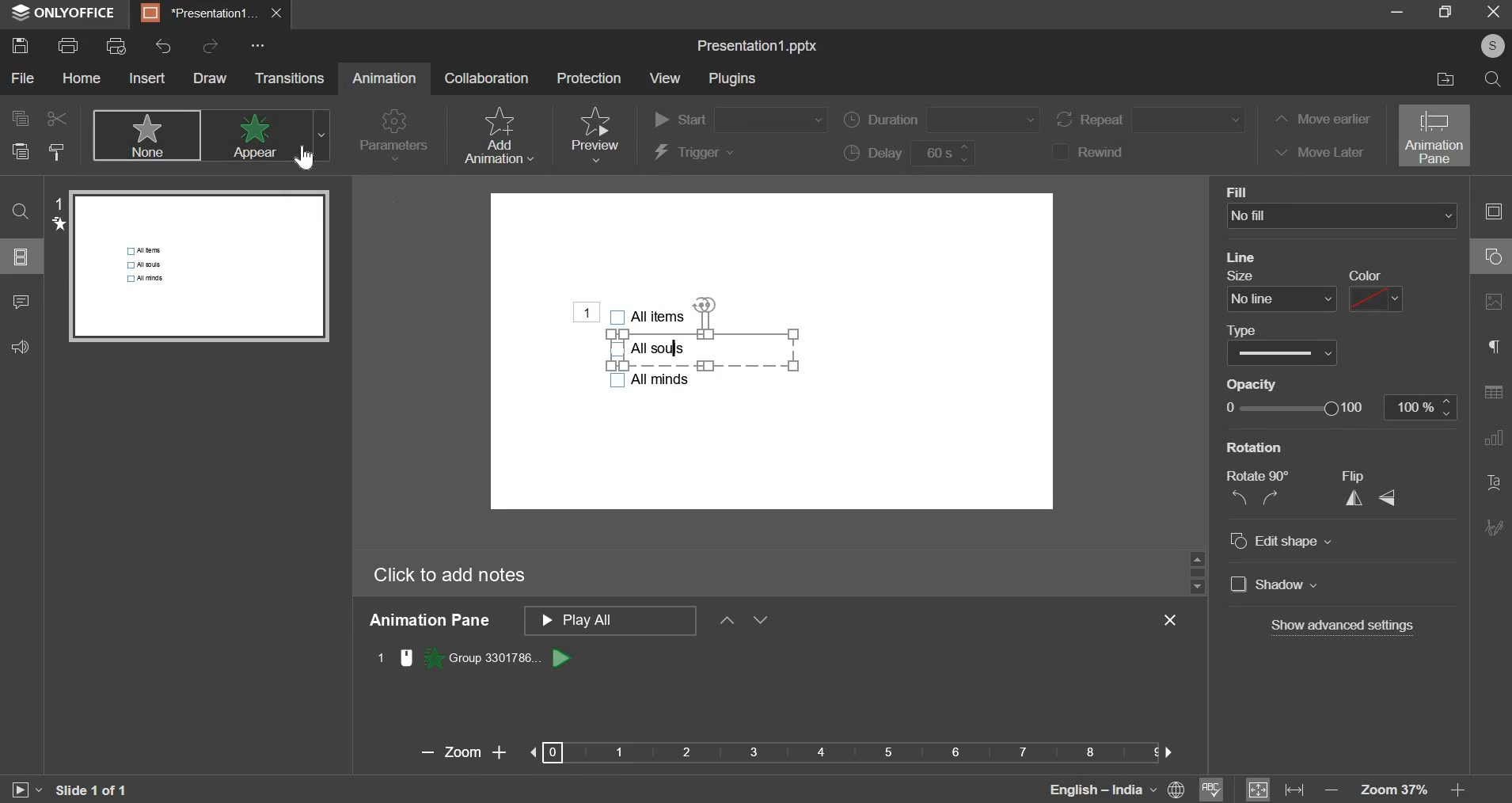 The width and height of the screenshot is (1512, 803). I want to click on exit, so click(1487, 15).